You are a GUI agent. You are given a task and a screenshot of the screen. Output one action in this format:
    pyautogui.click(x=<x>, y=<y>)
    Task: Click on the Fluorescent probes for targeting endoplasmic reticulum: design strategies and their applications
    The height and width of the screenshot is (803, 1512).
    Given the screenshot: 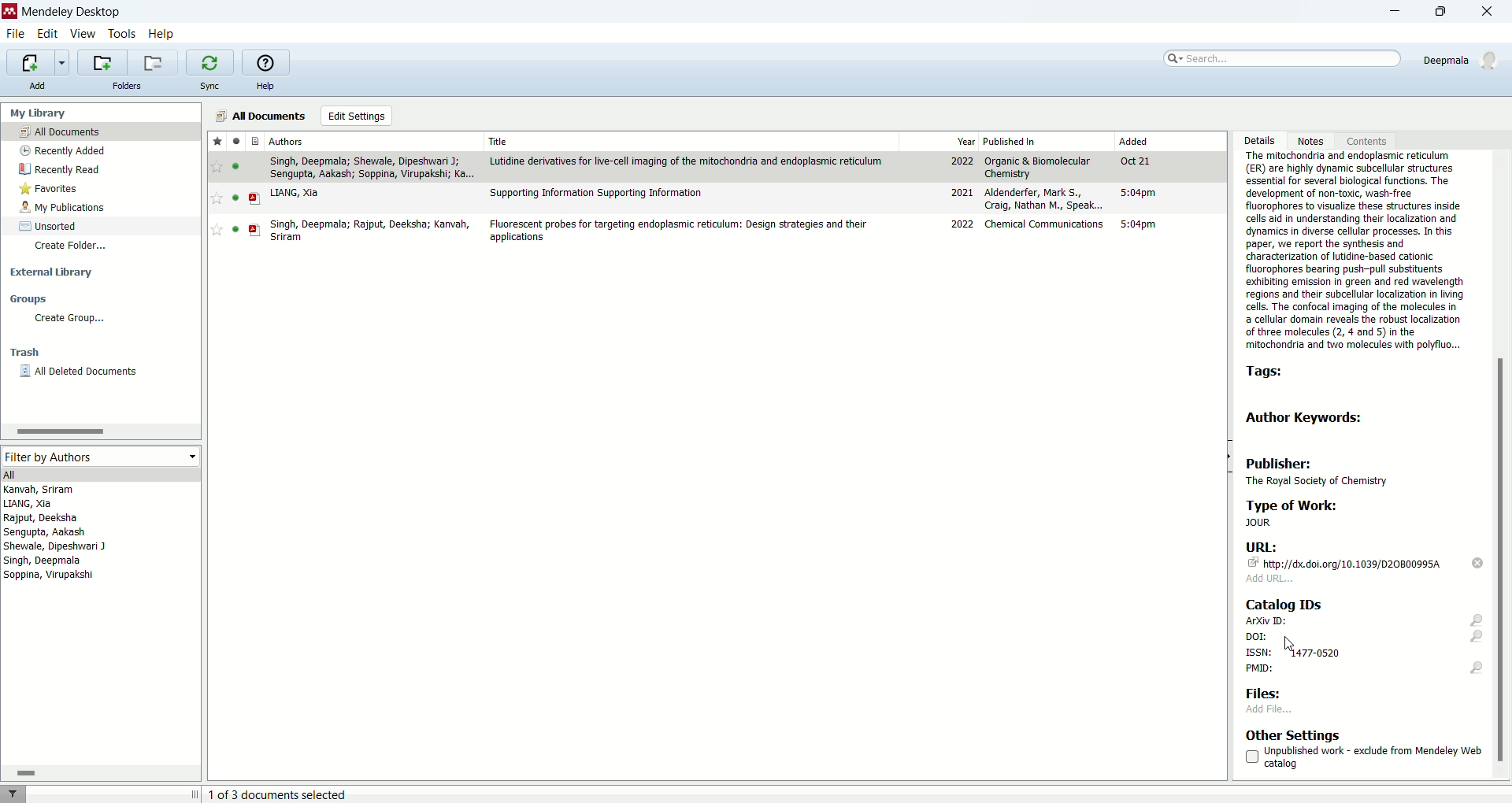 What is the action you would take?
    pyautogui.click(x=677, y=231)
    